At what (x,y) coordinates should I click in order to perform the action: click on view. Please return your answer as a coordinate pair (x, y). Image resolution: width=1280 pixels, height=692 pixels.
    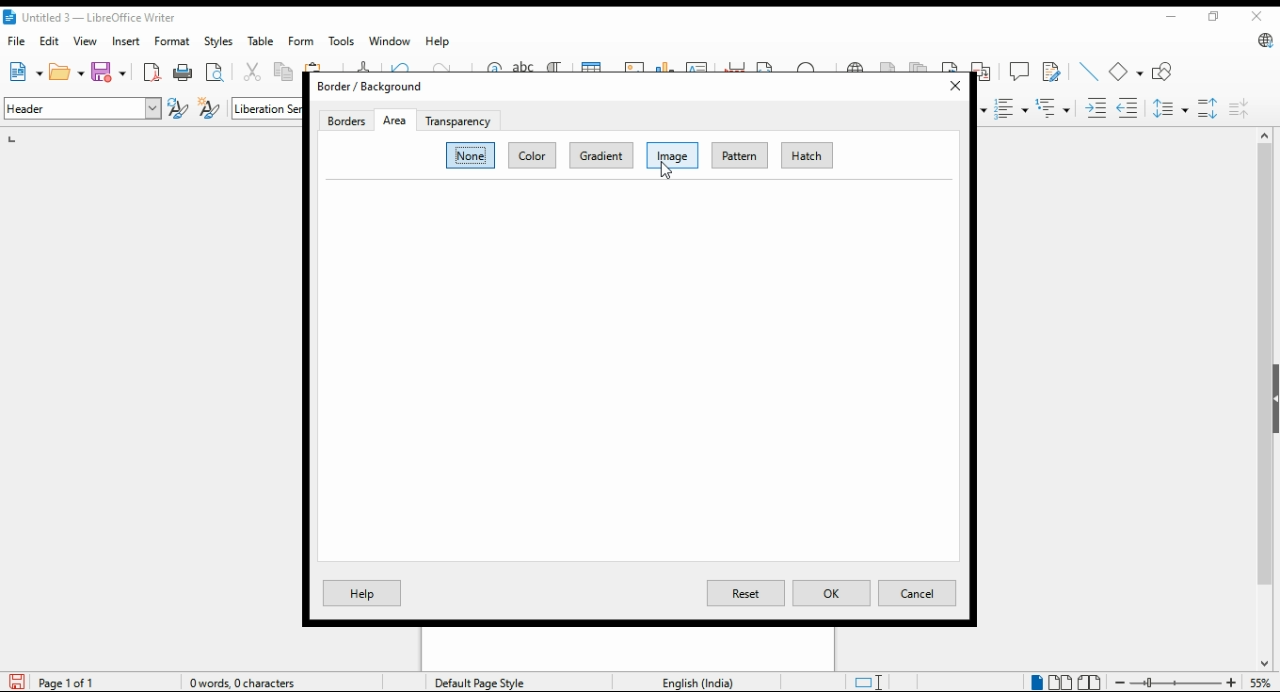
    Looking at the image, I should click on (85, 41).